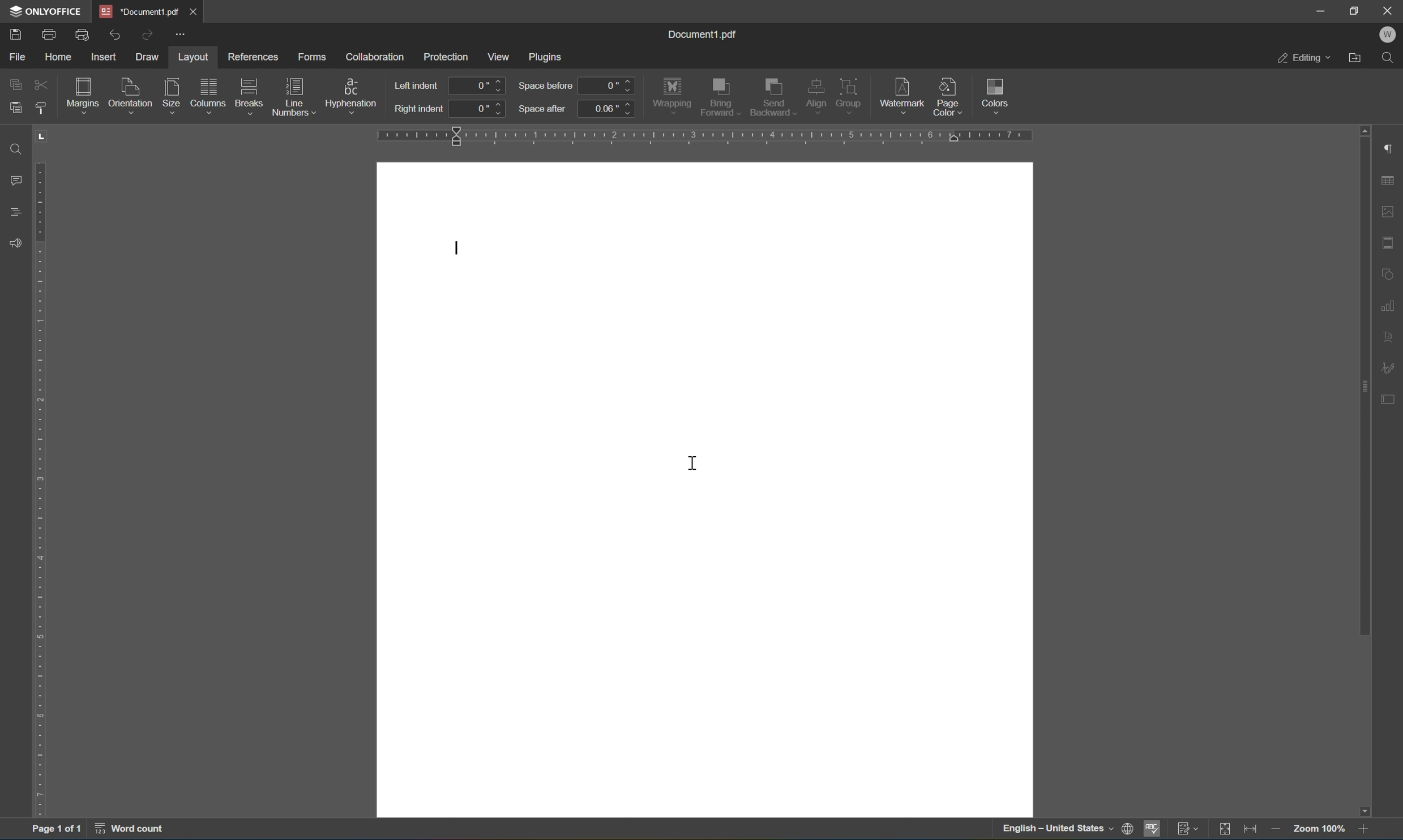  What do you see at coordinates (40, 474) in the screenshot?
I see `ruler` at bounding box center [40, 474].